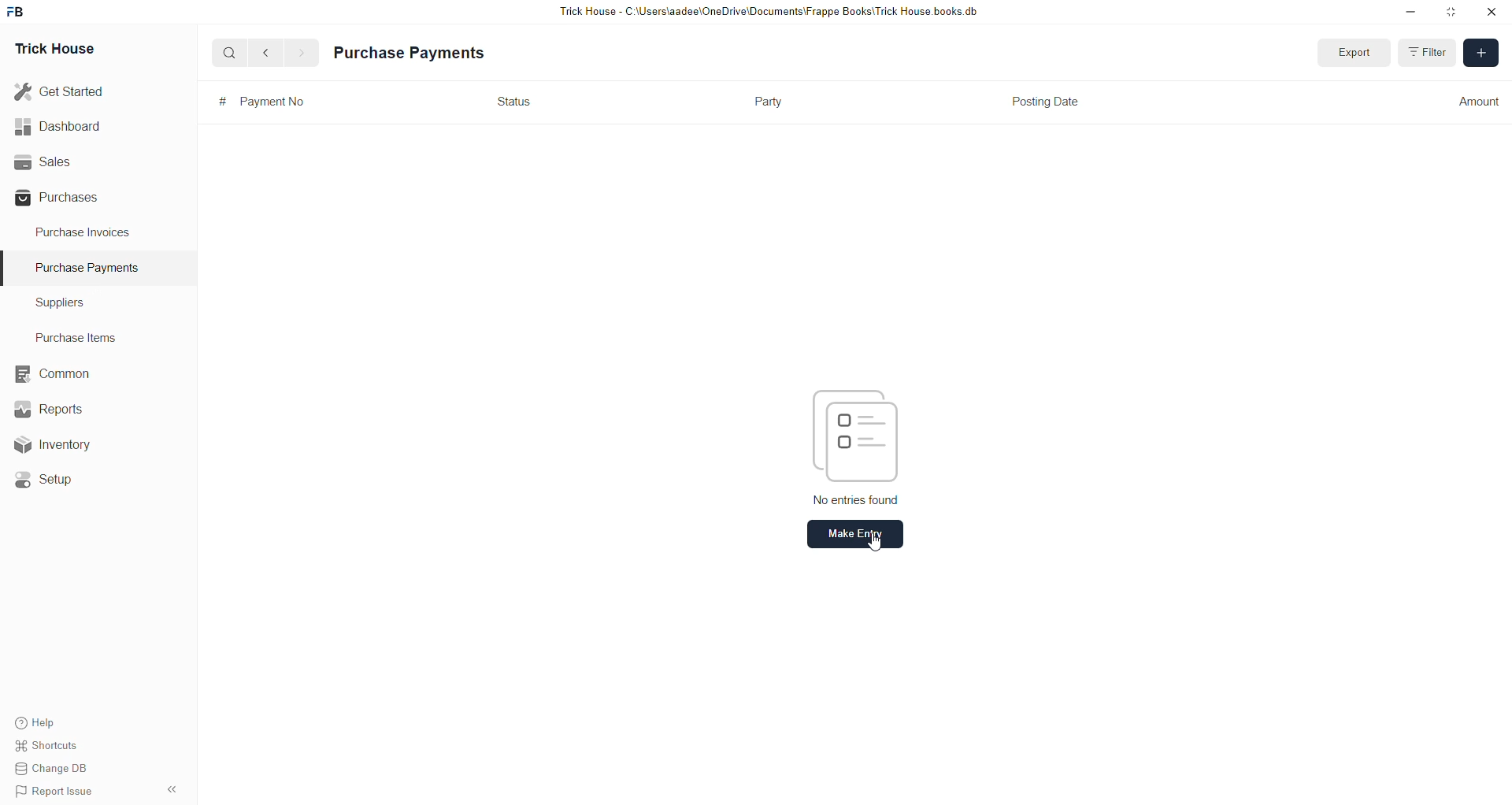  I want to click on Party, so click(757, 102).